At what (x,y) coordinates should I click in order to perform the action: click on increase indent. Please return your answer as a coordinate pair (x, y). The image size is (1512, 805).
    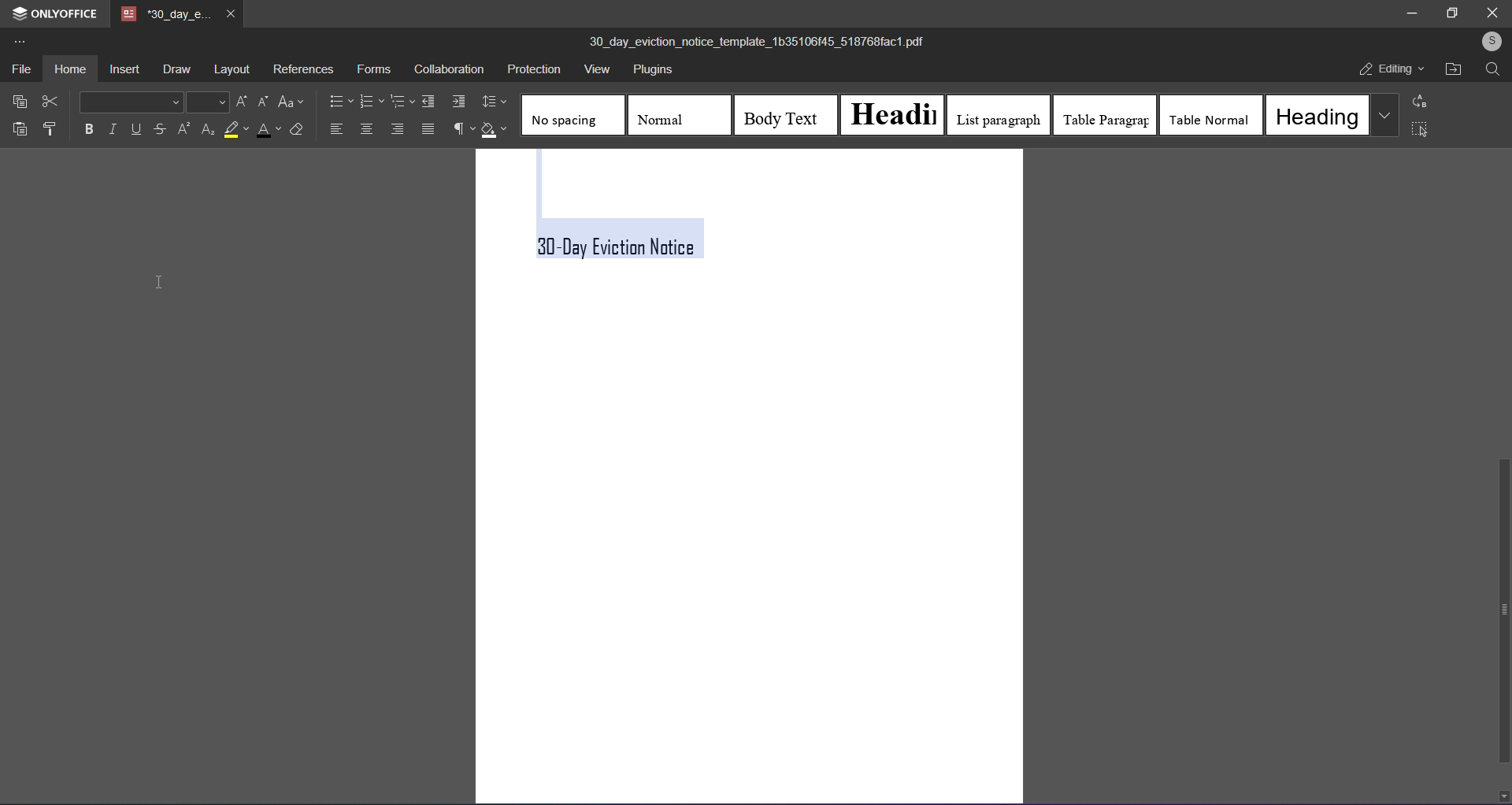
    Looking at the image, I should click on (458, 101).